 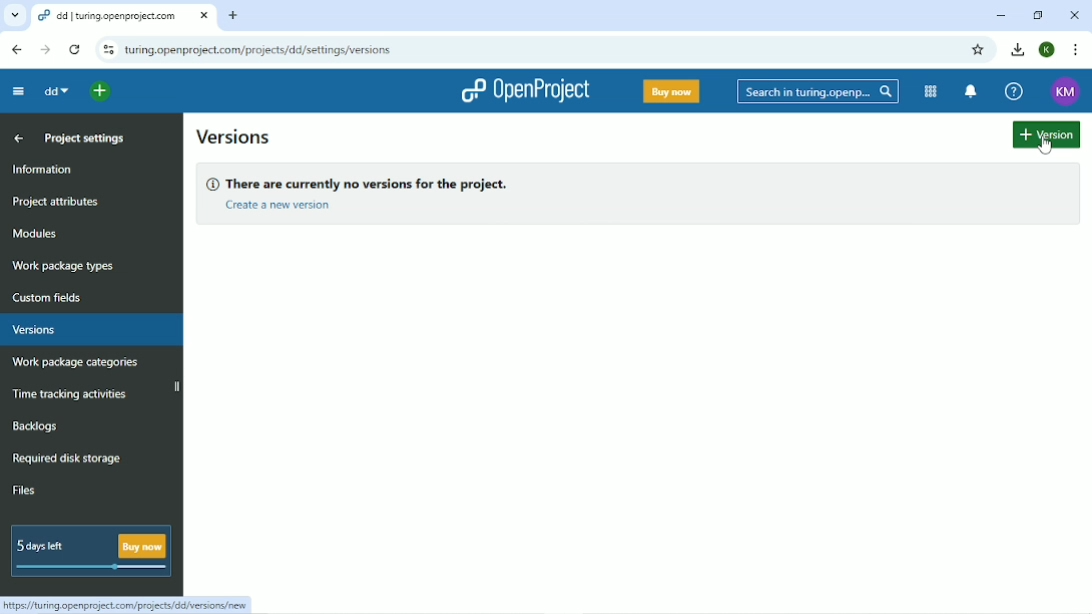 What do you see at coordinates (70, 393) in the screenshot?
I see `Time tracking activities` at bounding box center [70, 393].